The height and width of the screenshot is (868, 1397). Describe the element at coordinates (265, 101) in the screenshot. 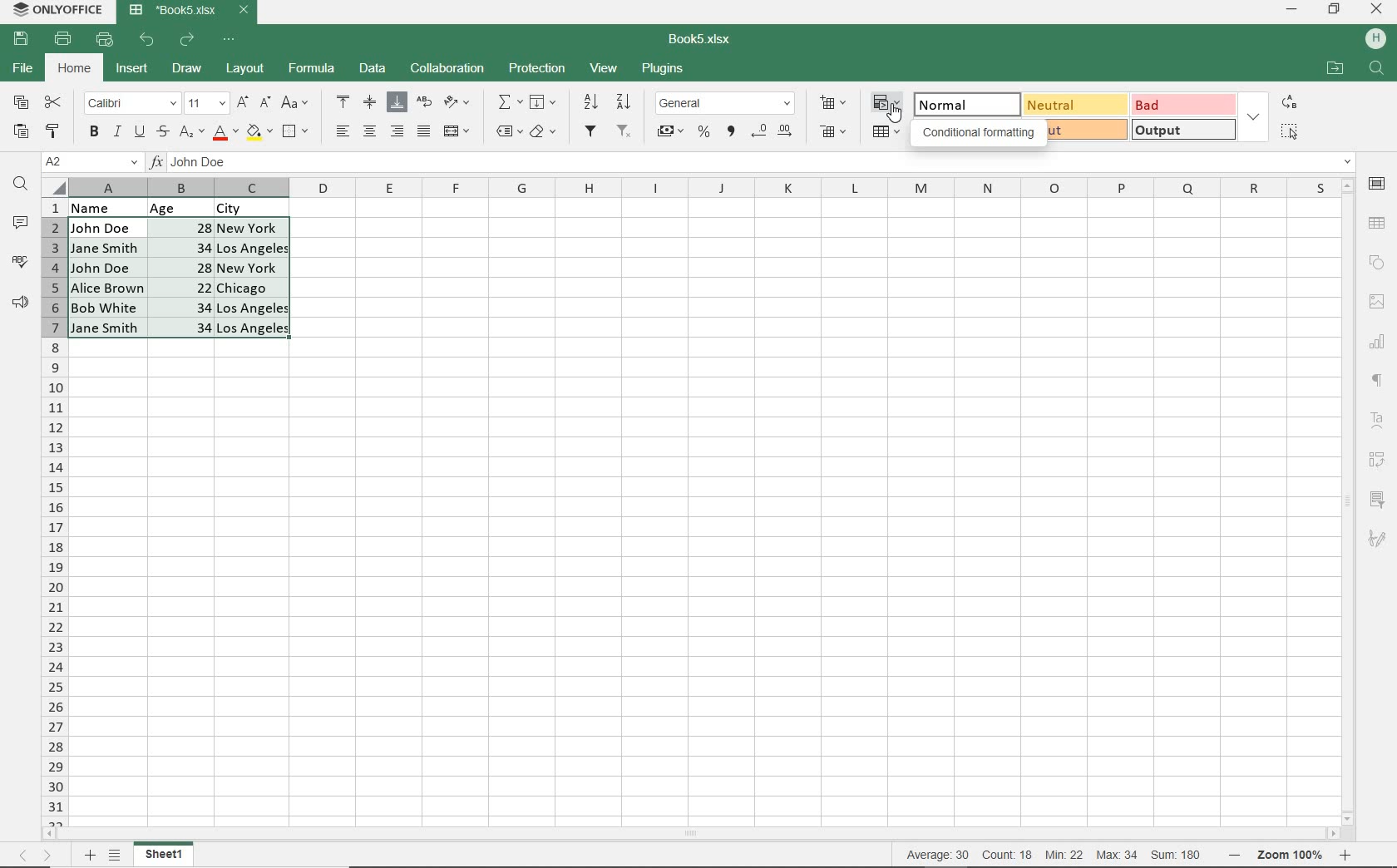

I see `DECREMENT FONT SIZE` at that location.